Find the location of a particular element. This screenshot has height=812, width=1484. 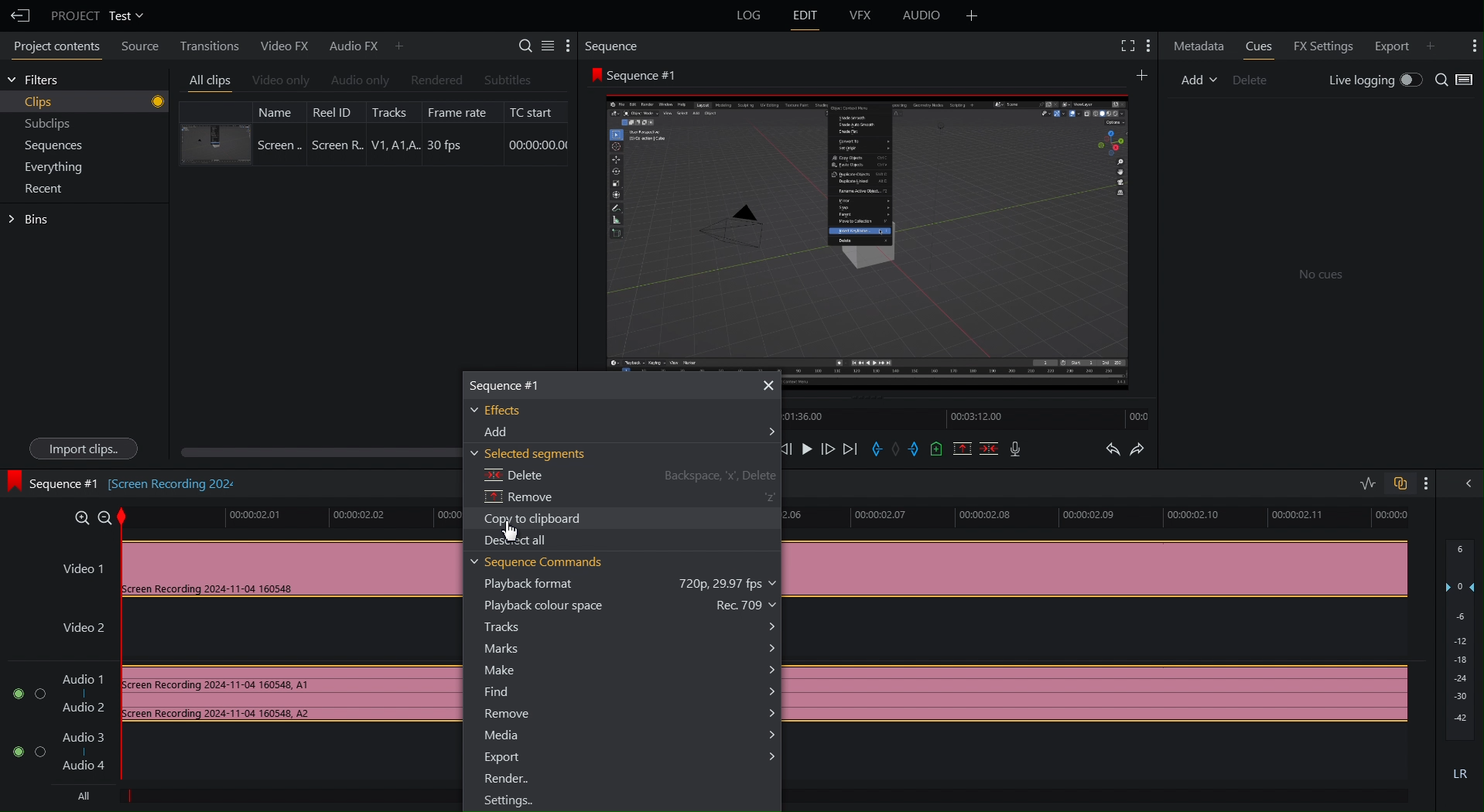

Live Logging is located at coordinates (1371, 80).